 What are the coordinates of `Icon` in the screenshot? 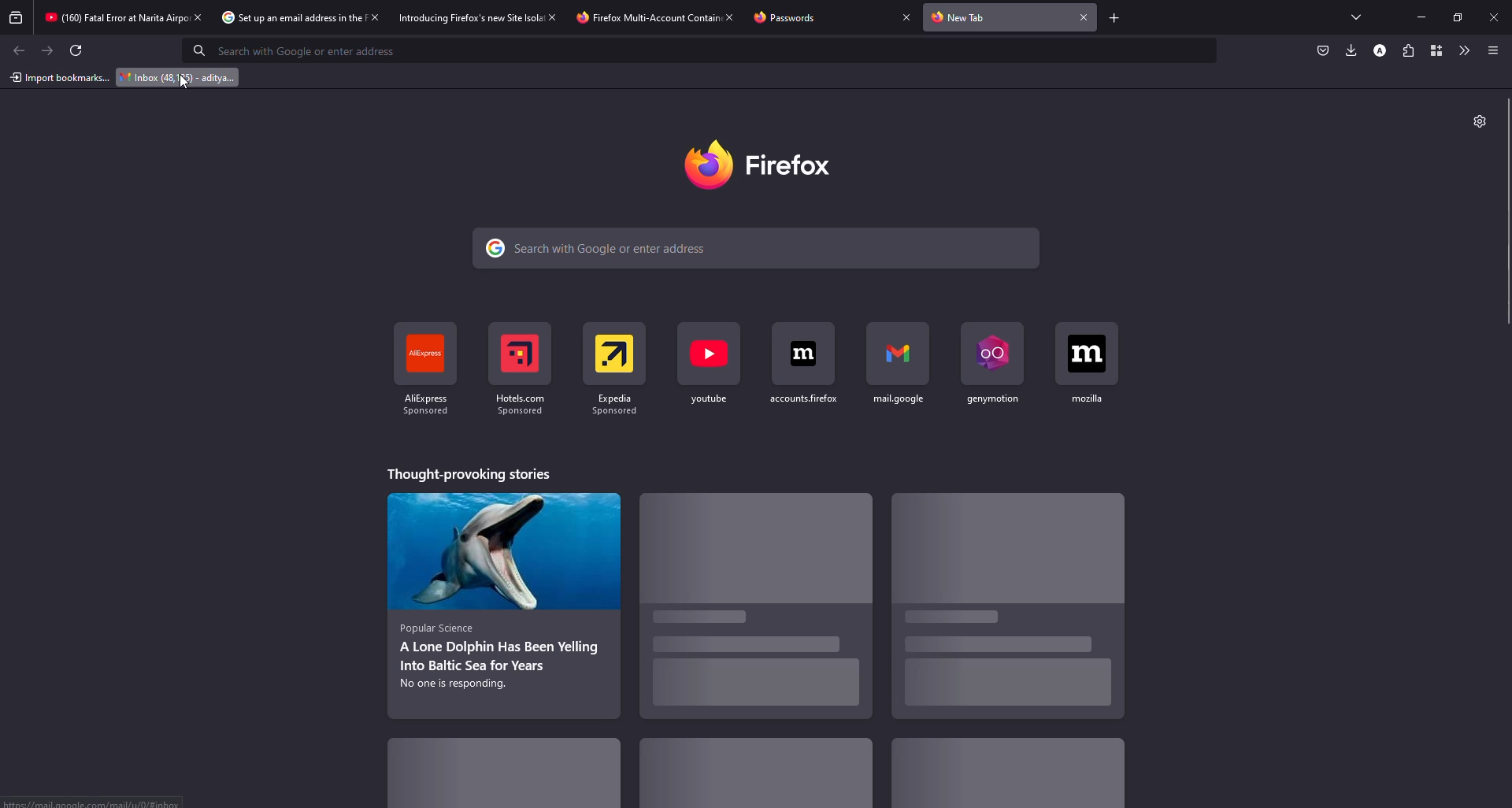 It's located at (888, 350).